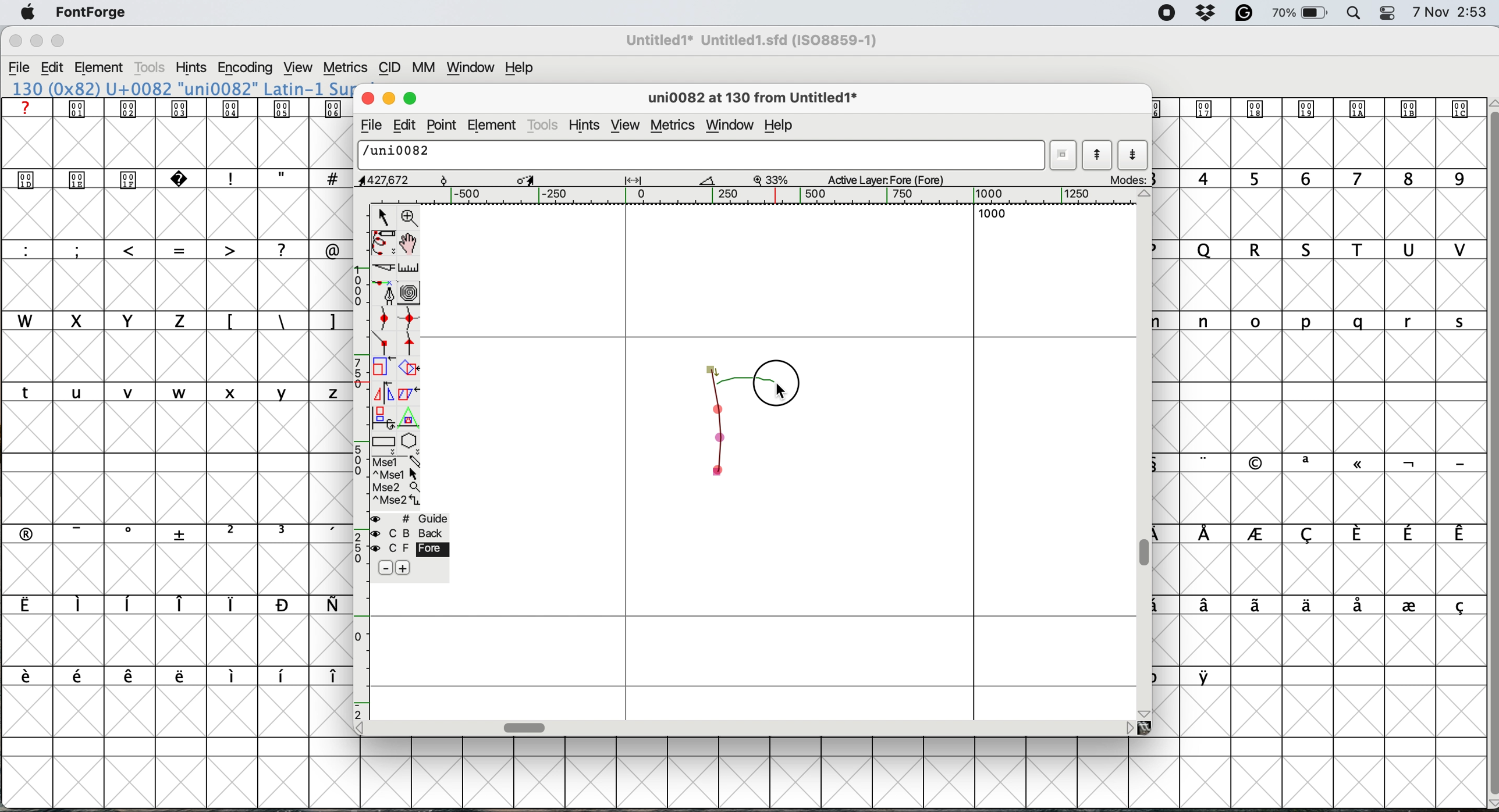  I want to click on view, so click(300, 68).